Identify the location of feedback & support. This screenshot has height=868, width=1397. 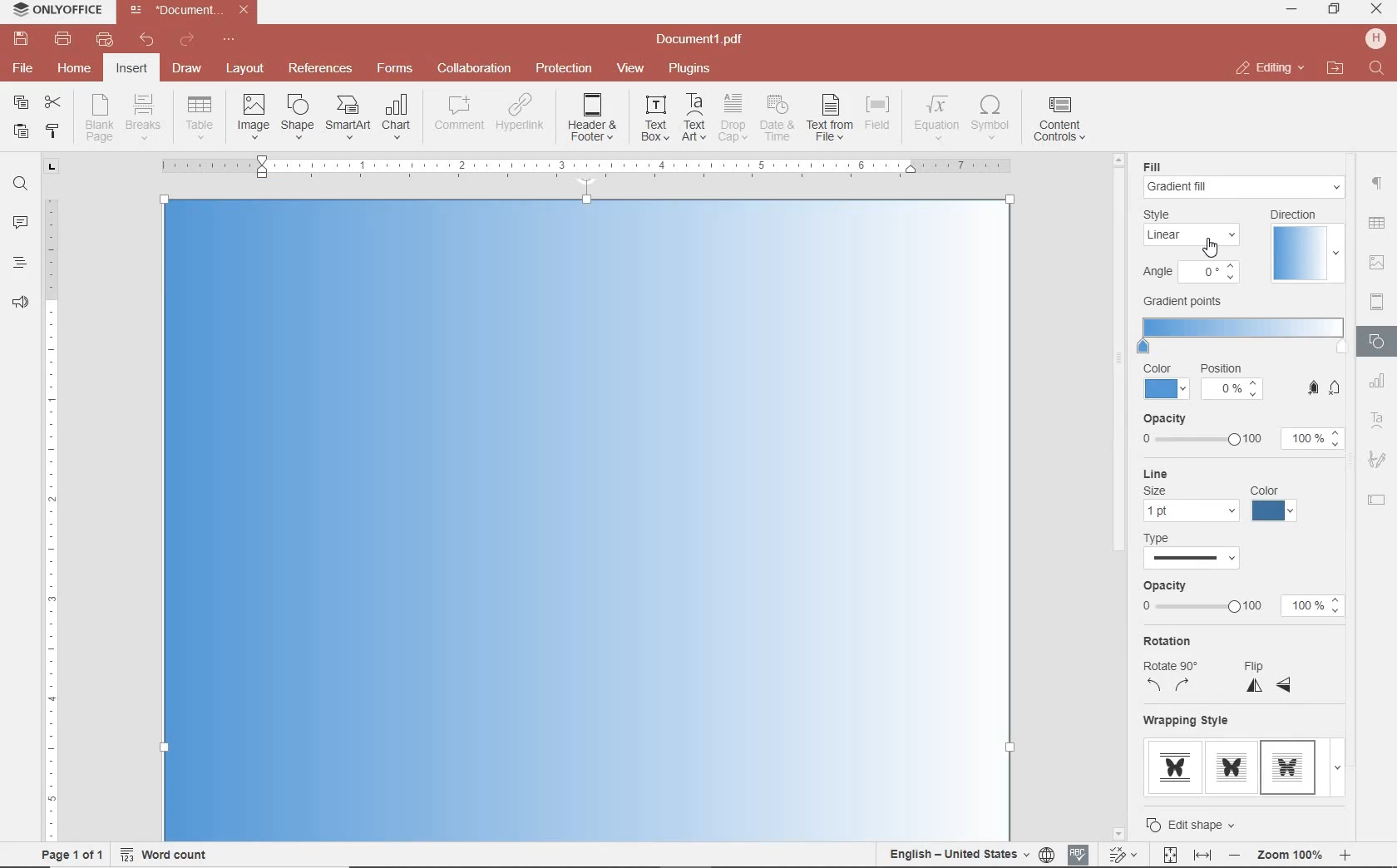
(21, 303).